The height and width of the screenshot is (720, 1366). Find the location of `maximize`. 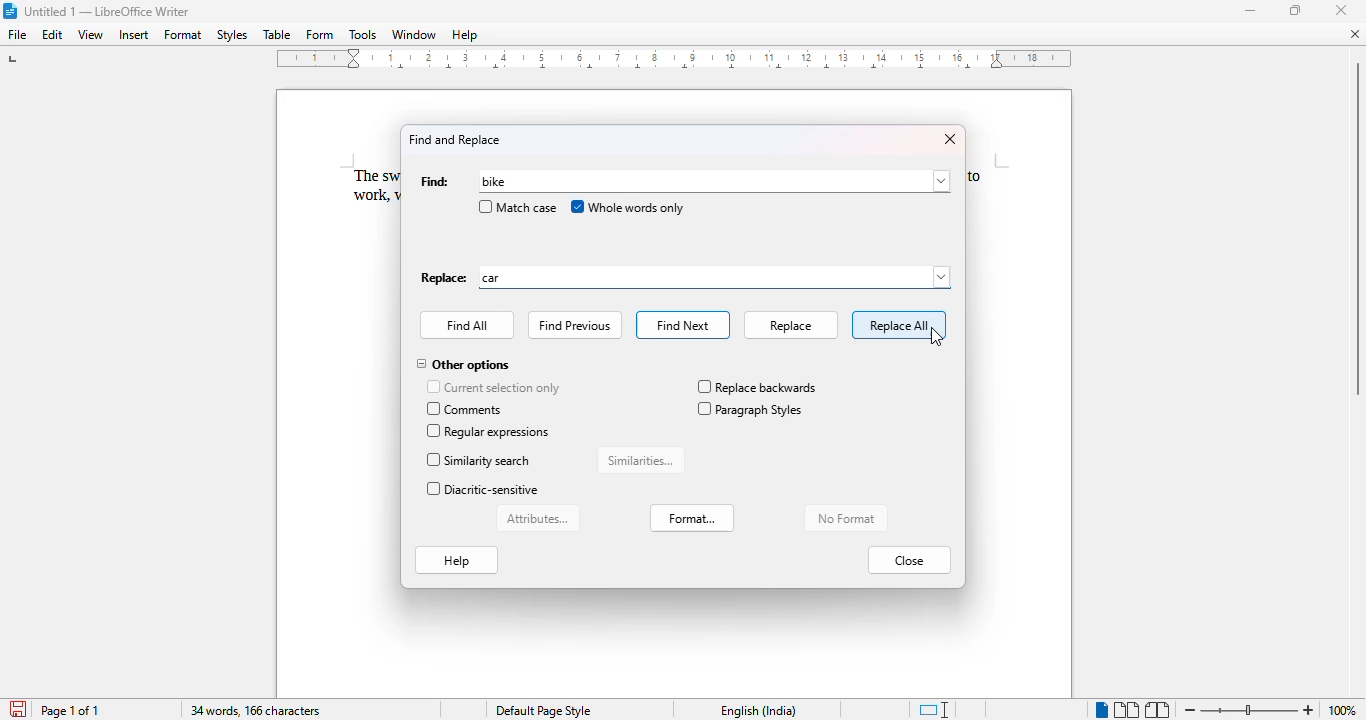

maximize is located at coordinates (1297, 10).